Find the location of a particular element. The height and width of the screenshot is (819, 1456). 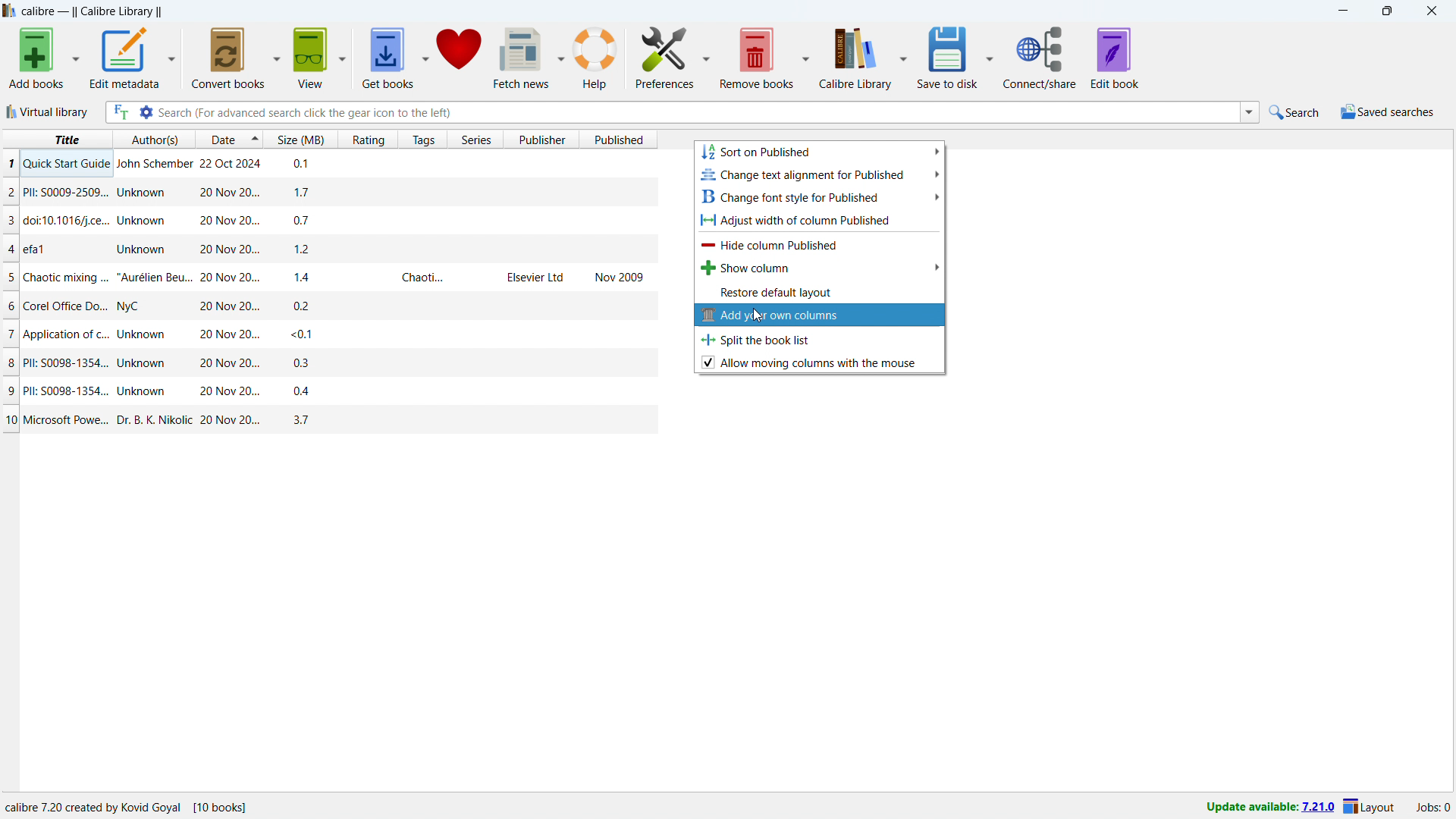

update is located at coordinates (1268, 808).